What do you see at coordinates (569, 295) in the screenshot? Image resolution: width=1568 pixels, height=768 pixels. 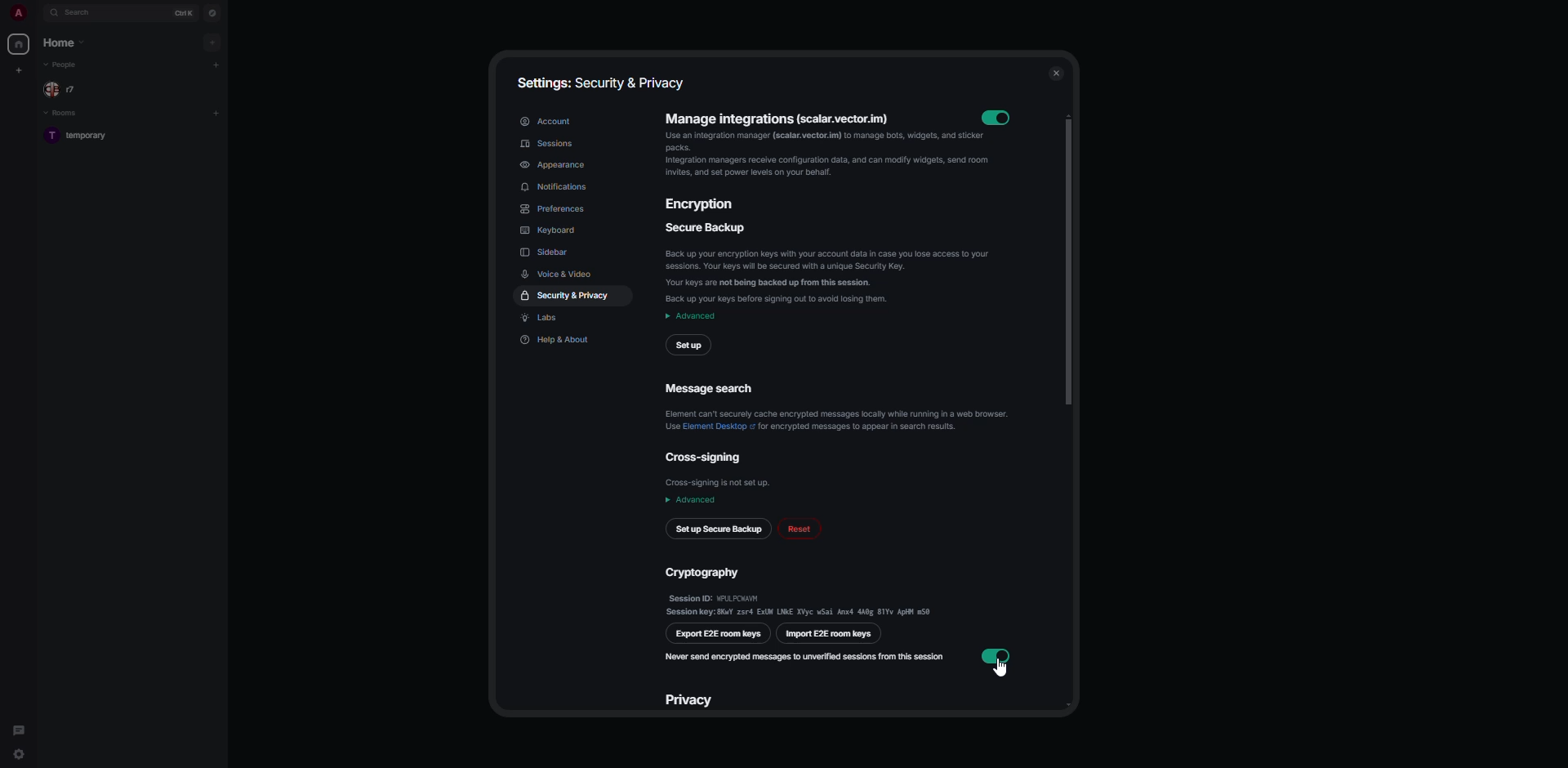 I see `security & privacy` at bounding box center [569, 295].